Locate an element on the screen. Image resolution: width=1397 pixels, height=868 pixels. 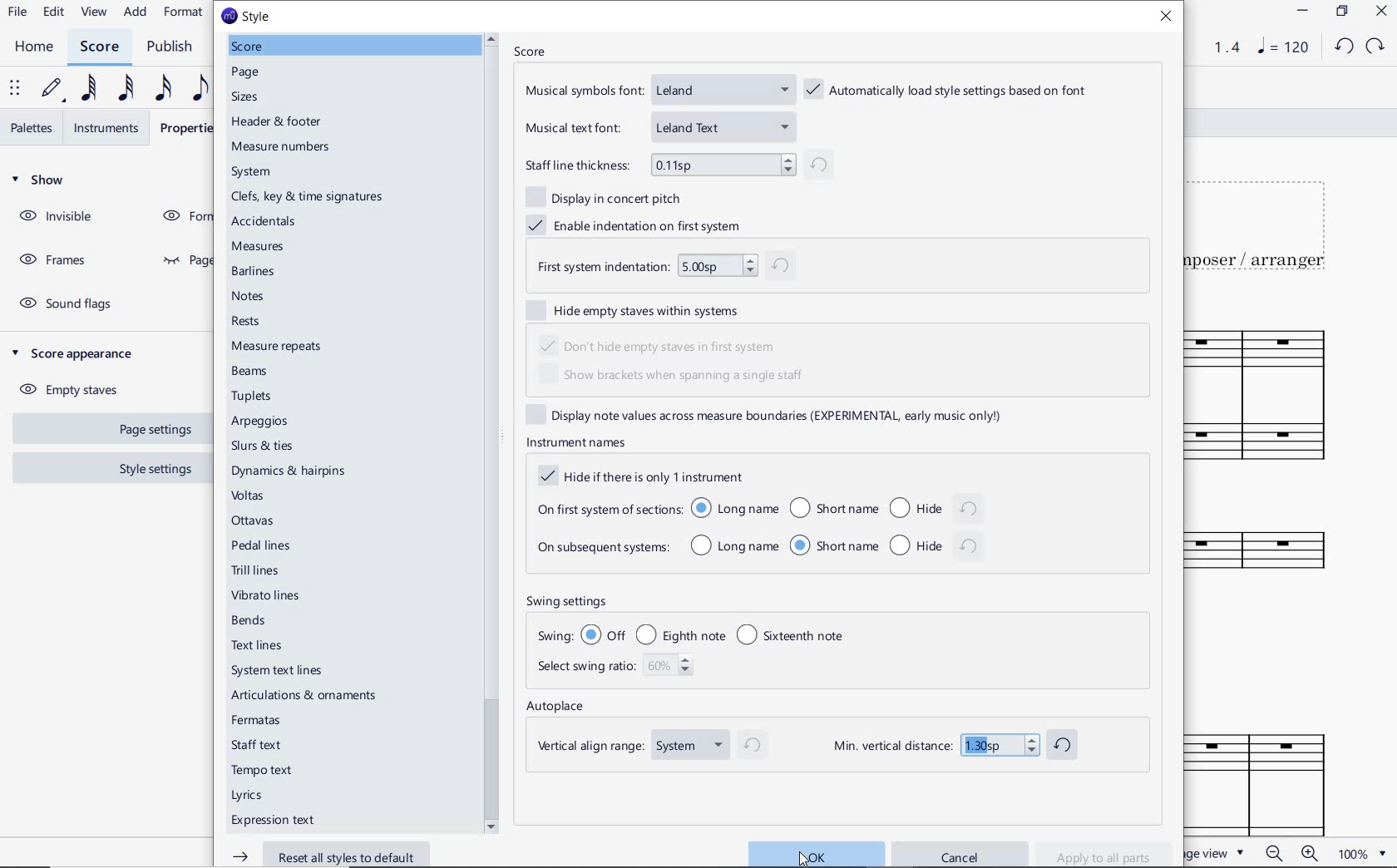
STYLE SETTINGS is located at coordinates (154, 468).